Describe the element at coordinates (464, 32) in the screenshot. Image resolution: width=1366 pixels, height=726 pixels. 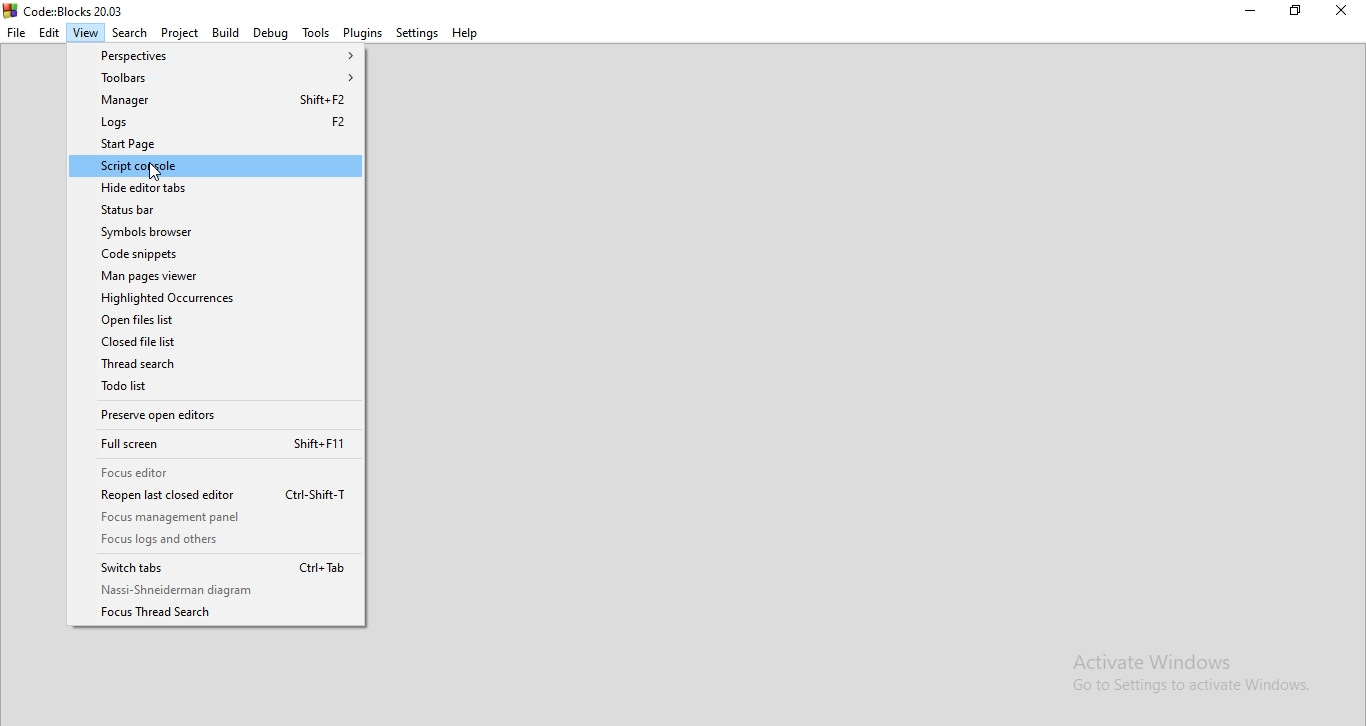
I see `Help` at that location.